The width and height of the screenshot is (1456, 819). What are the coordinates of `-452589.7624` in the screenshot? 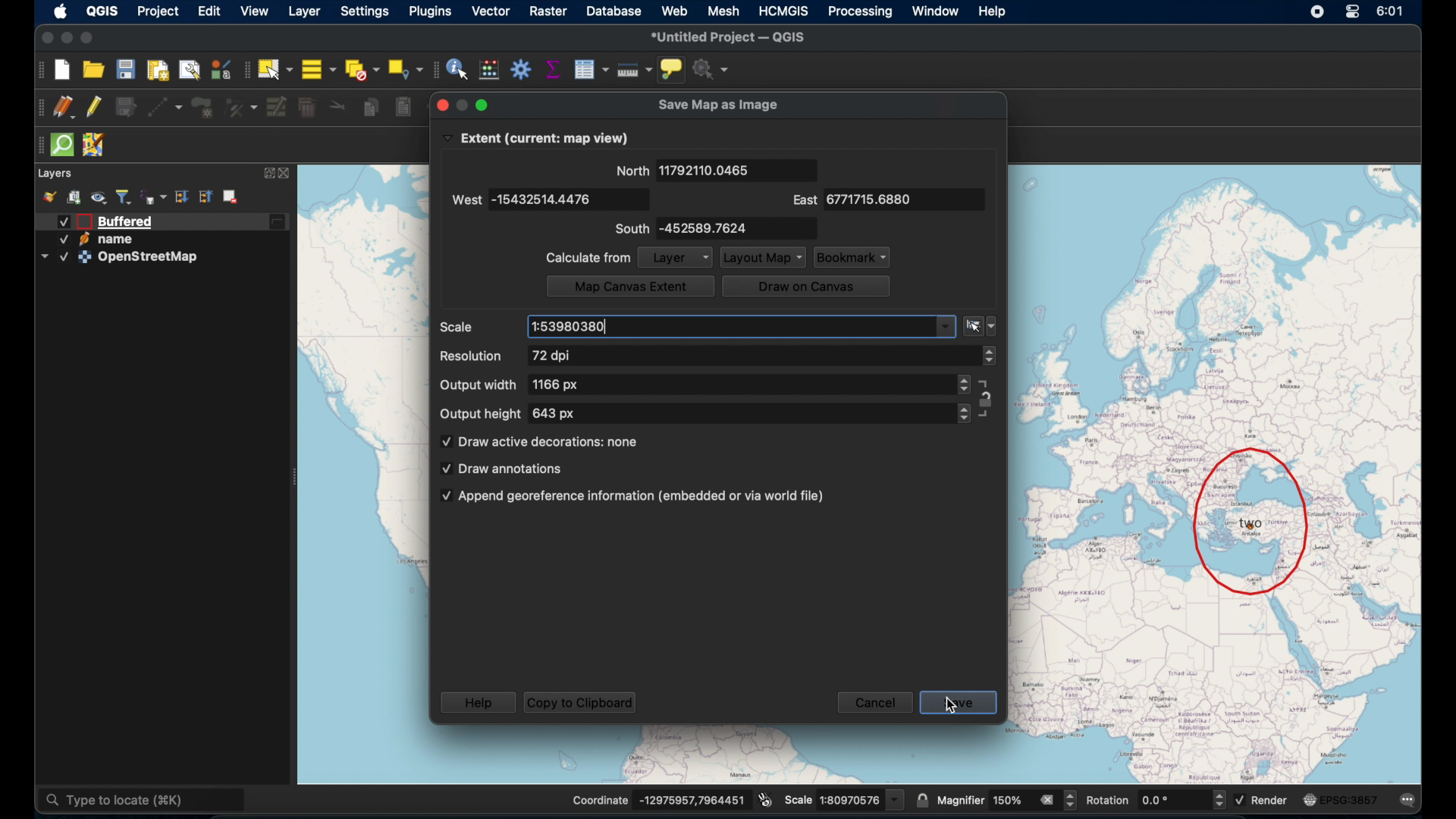 It's located at (737, 228).